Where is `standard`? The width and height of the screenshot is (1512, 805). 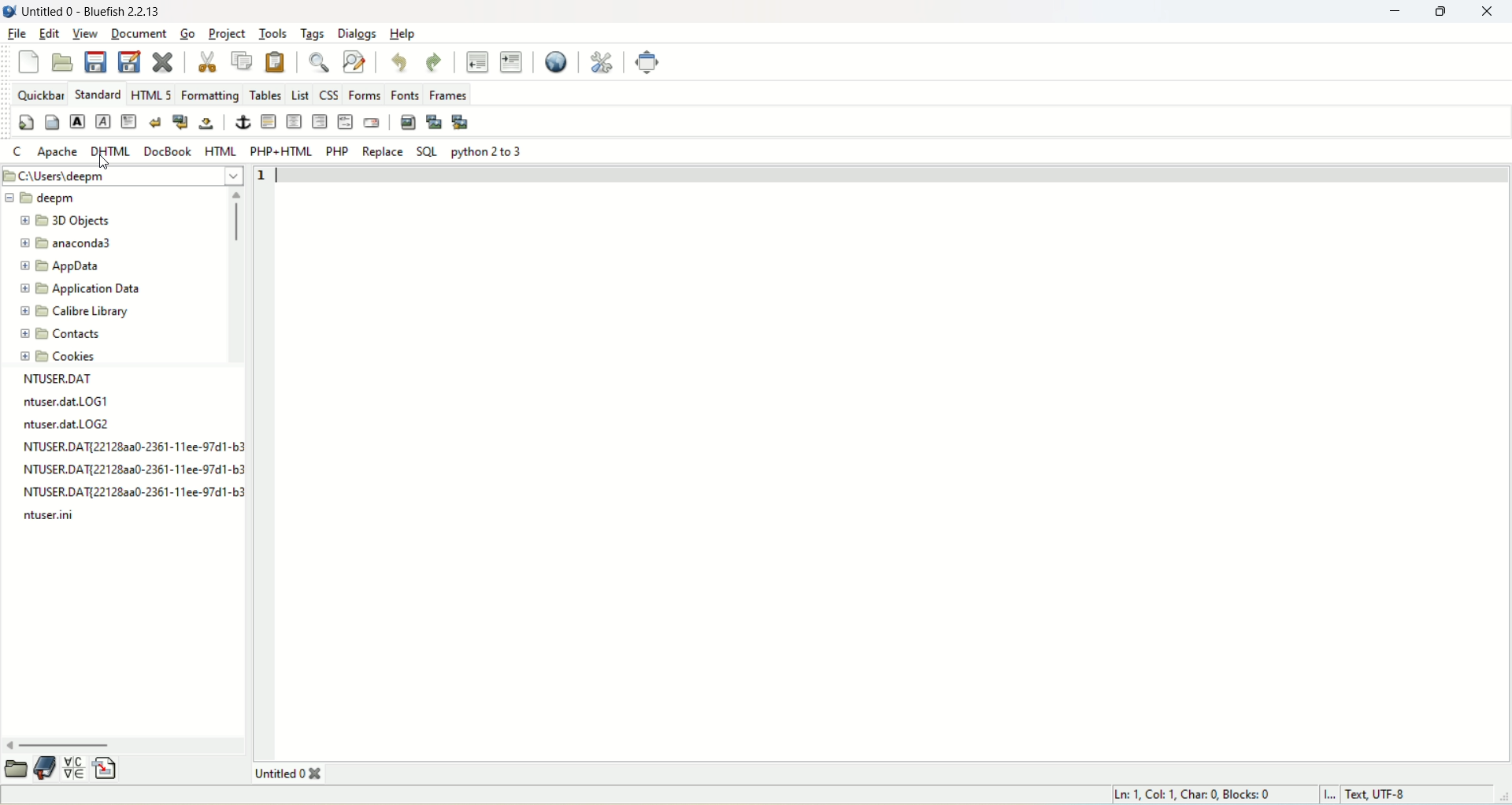
standard is located at coordinates (96, 94).